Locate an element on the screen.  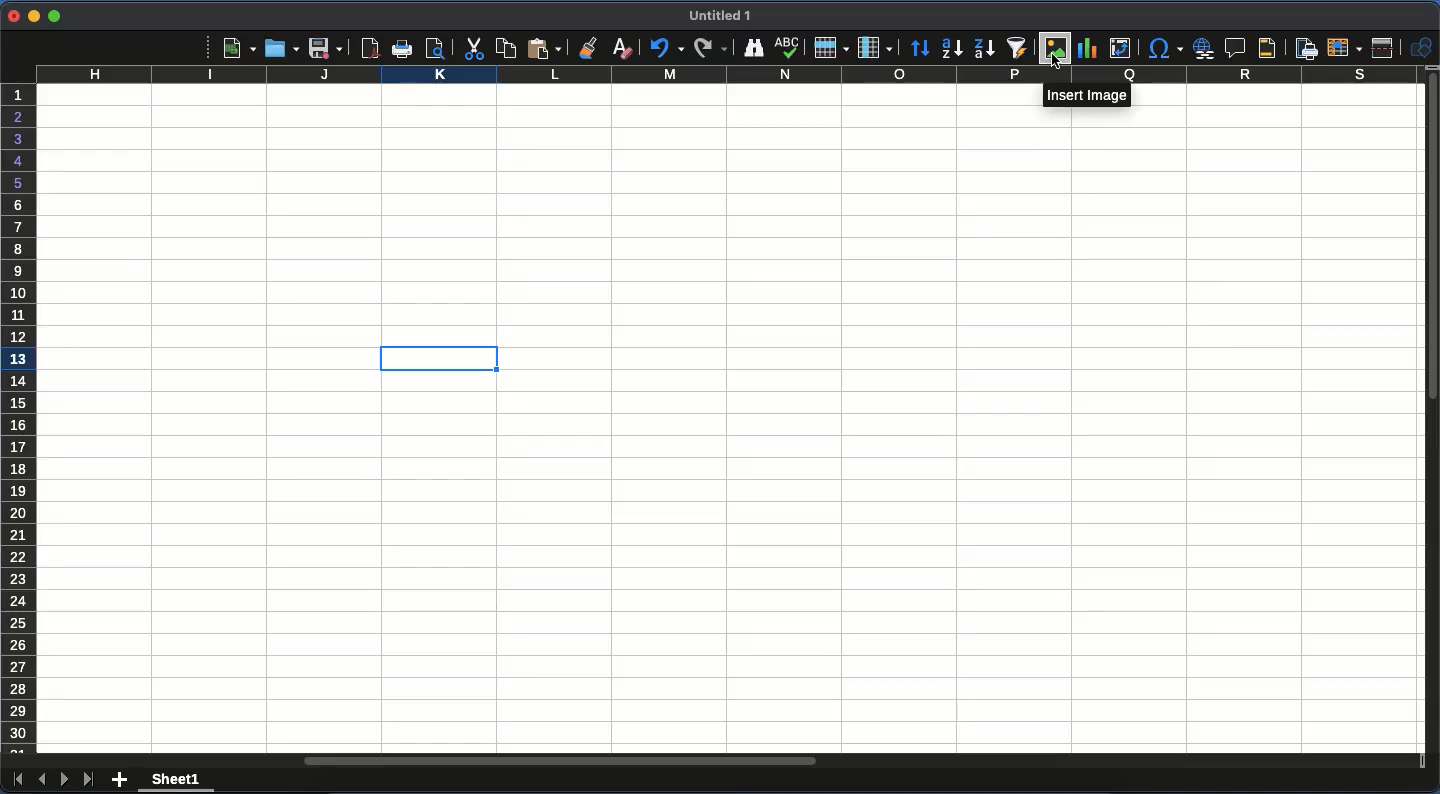
freeze rows and columns is located at coordinates (1346, 48).